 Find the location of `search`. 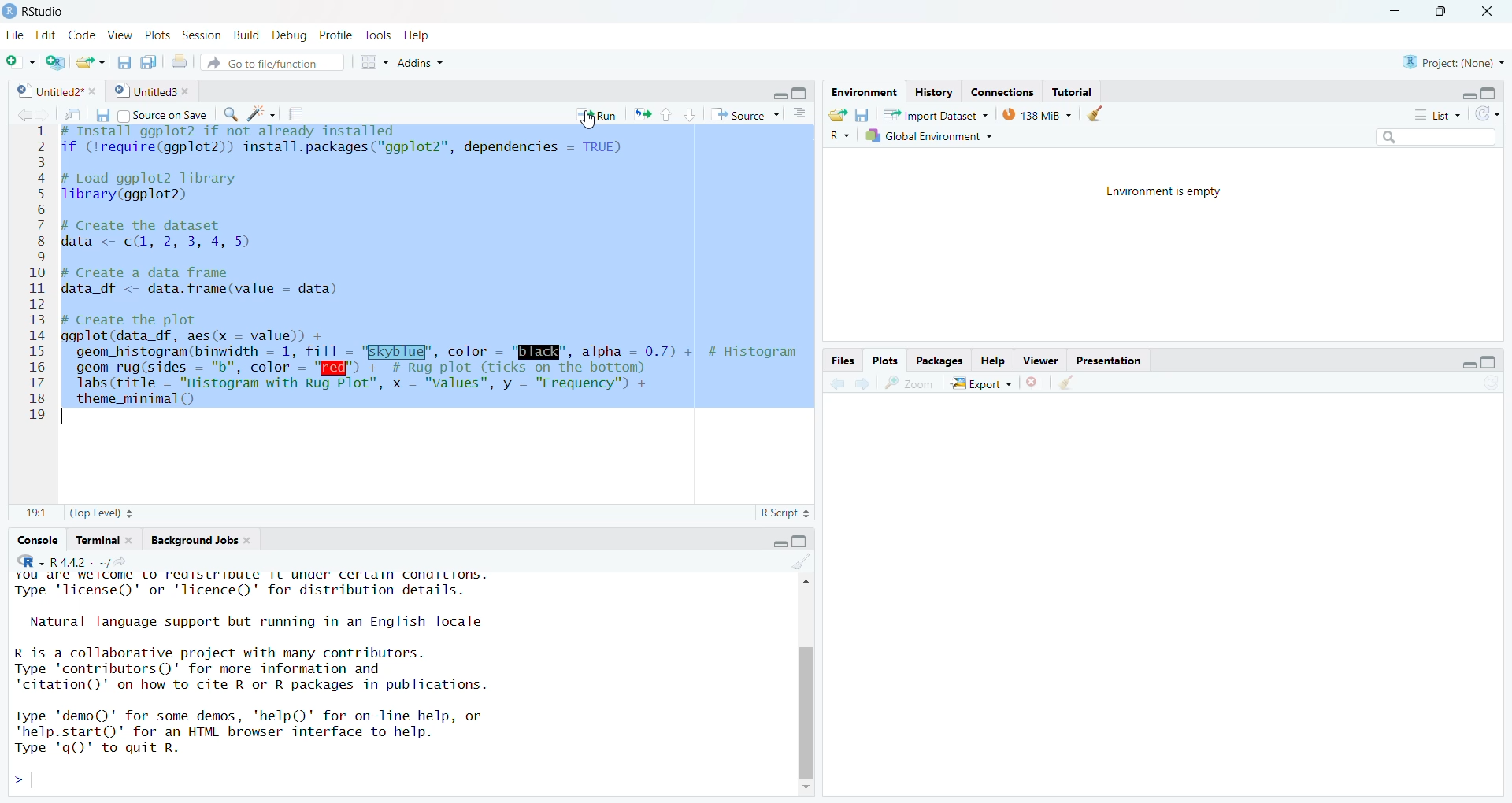

search is located at coordinates (1433, 138).